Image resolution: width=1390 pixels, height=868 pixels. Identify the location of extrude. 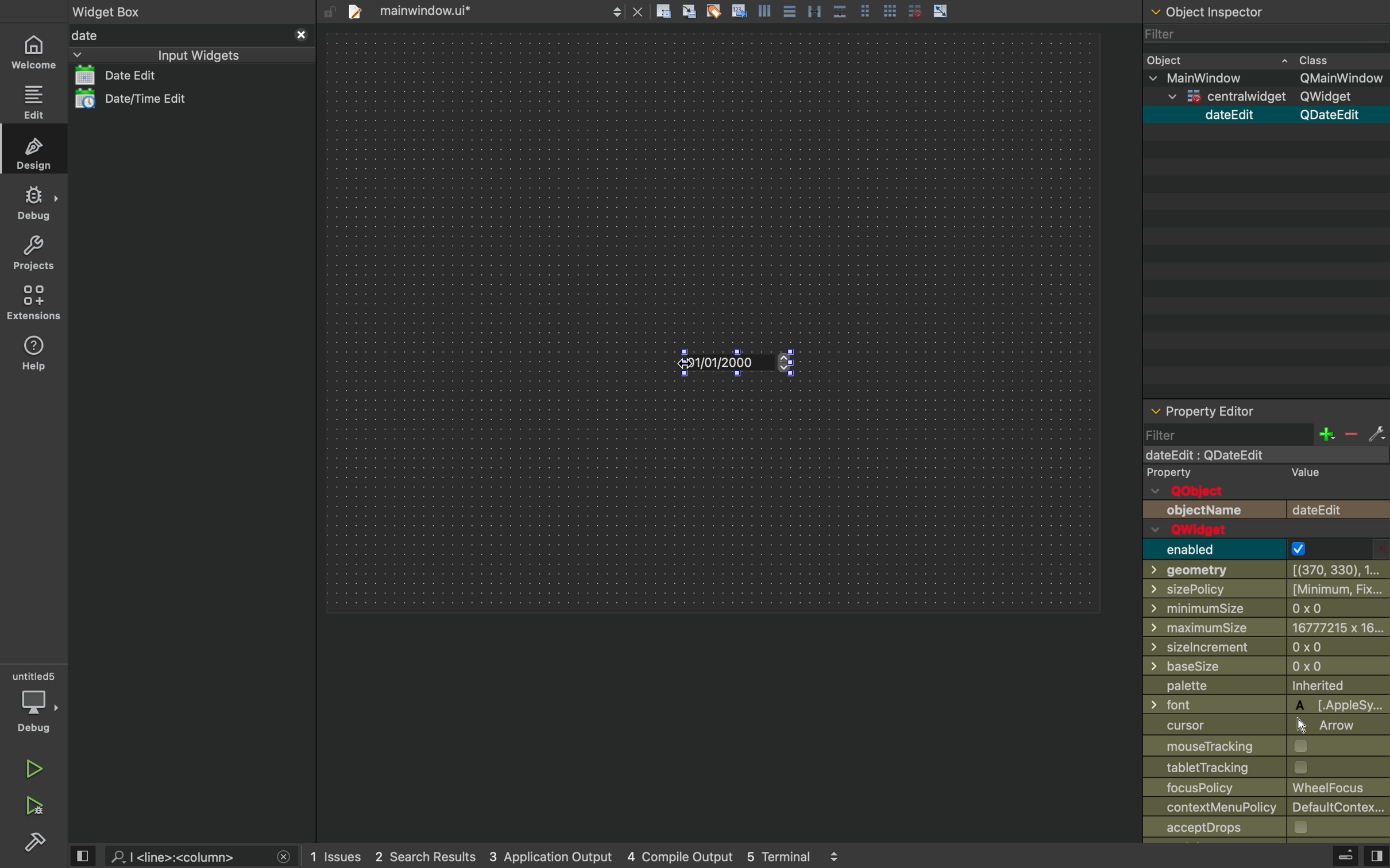
(1347, 856).